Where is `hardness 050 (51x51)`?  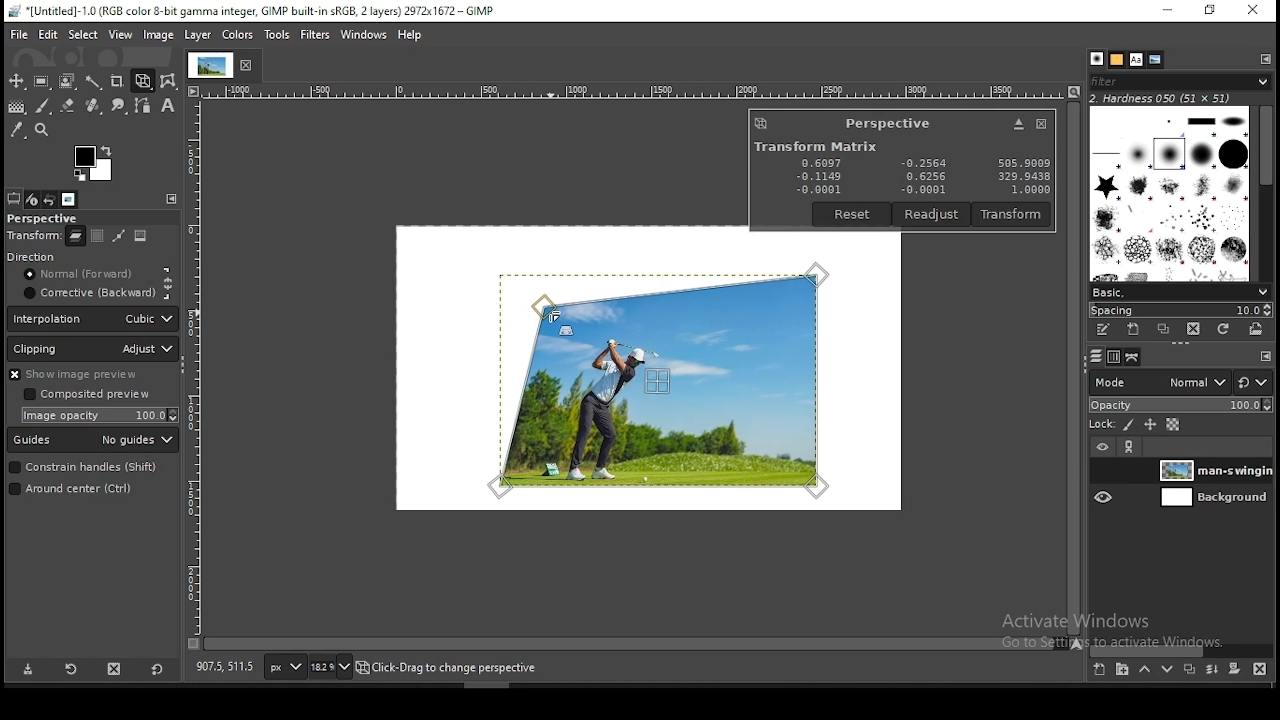 hardness 050 (51x51) is located at coordinates (1161, 99).